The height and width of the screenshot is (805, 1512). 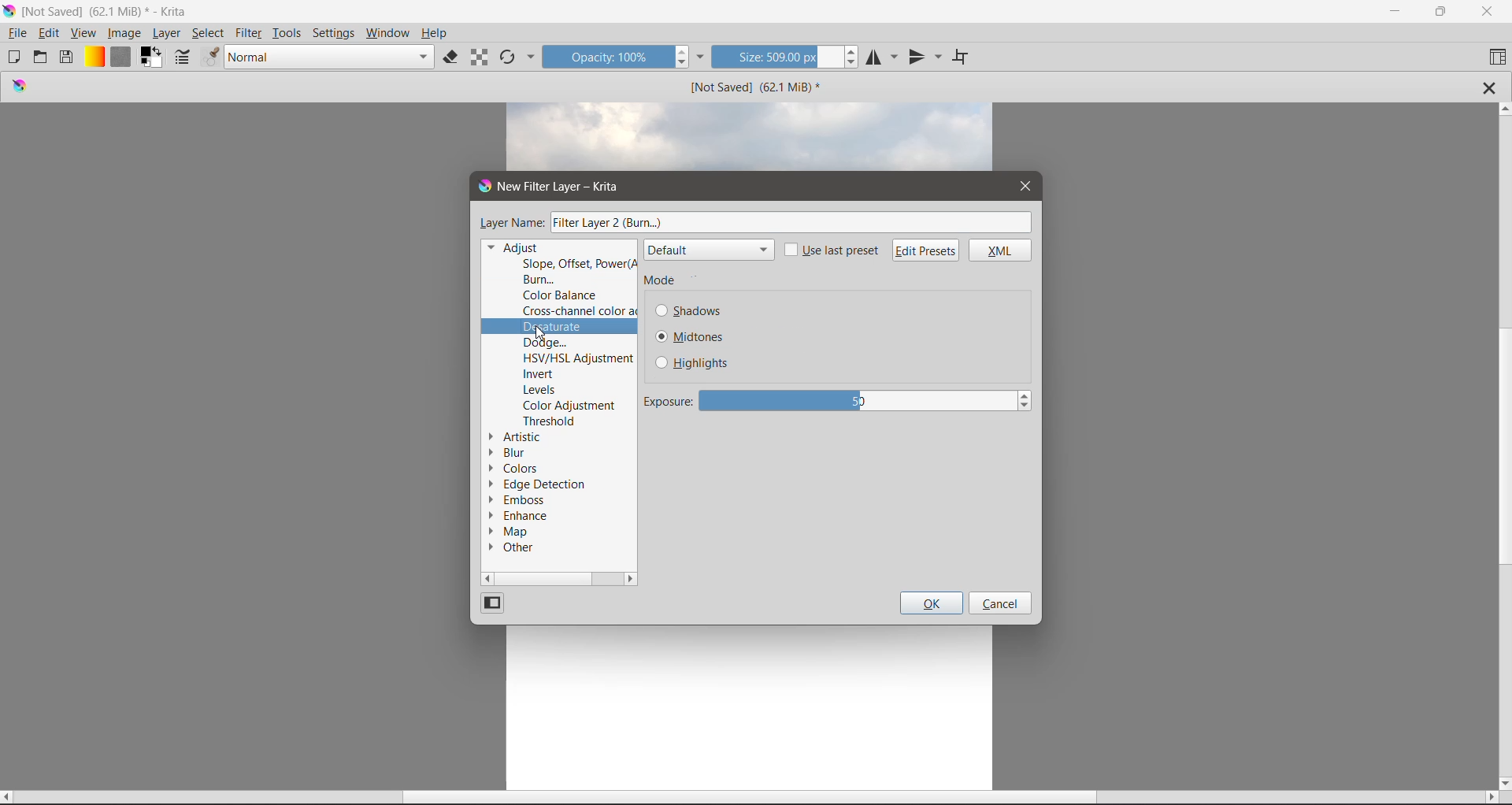 I want to click on Image Name and Size, so click(x=753, y=87).